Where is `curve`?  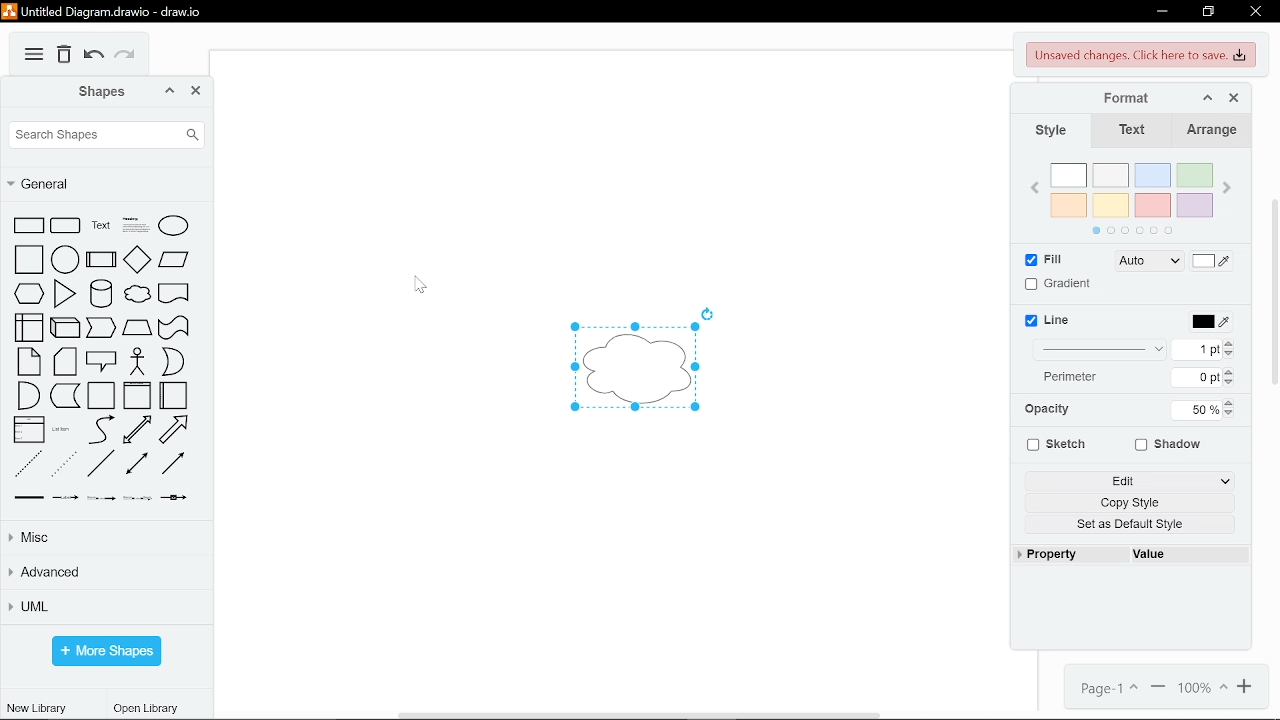 curve is located at coordinates (98, 430).